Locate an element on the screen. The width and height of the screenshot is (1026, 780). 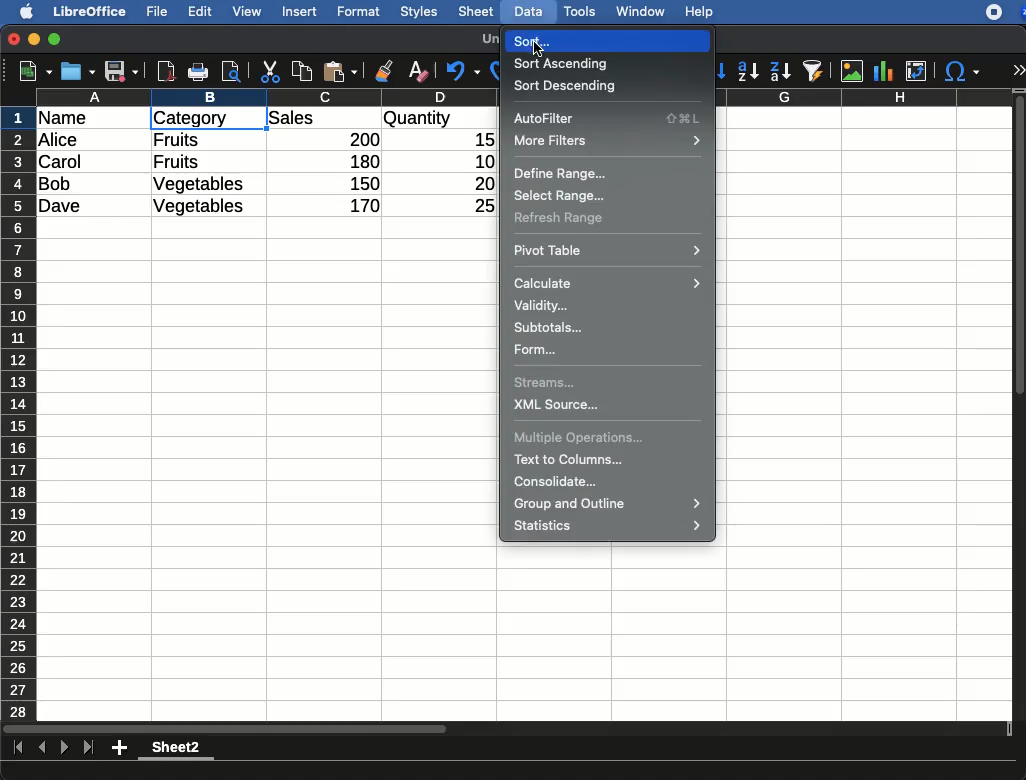
edit is located at coordinates (200, 11).